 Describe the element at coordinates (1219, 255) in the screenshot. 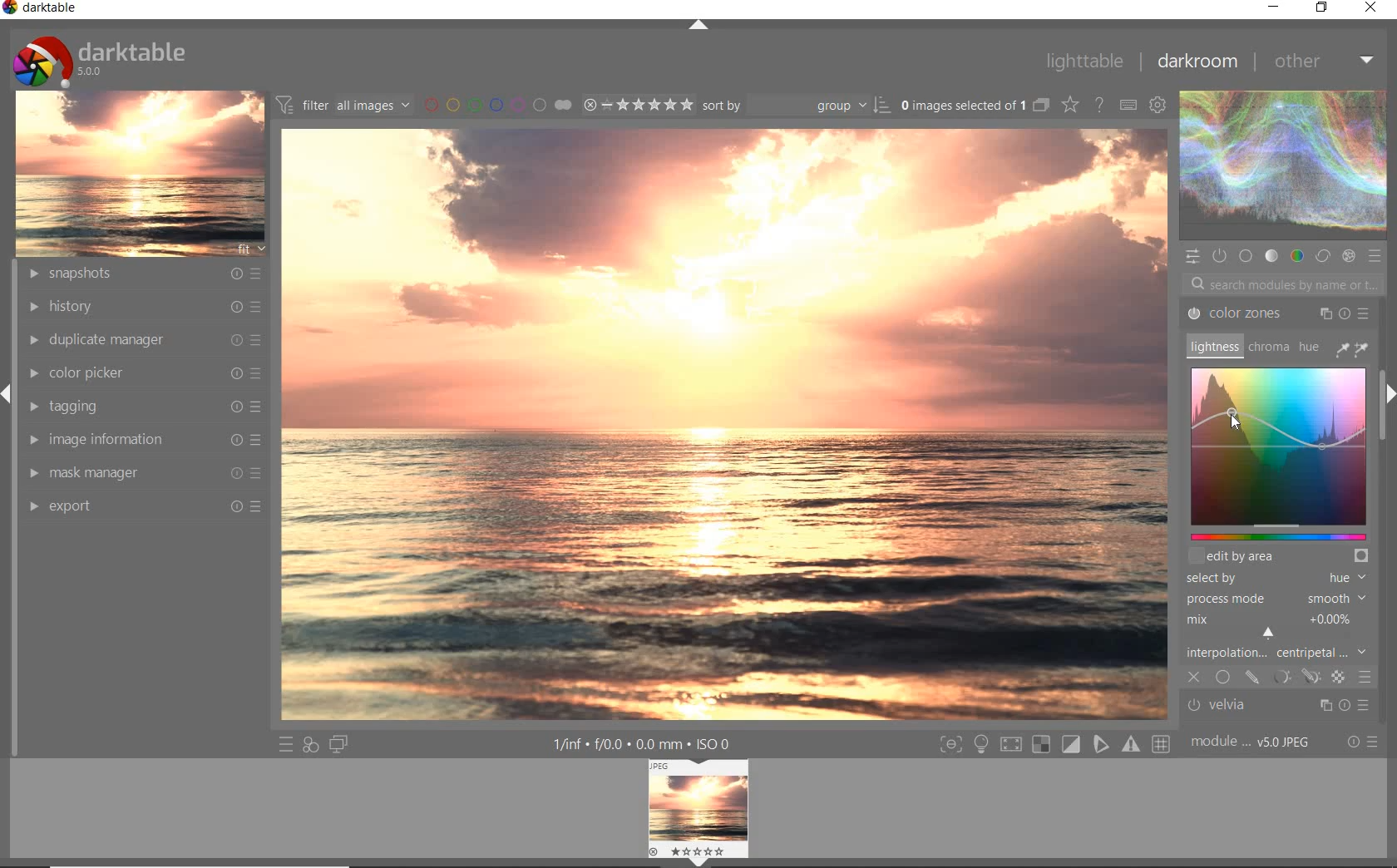

I see `SHOW ONLY ACTIVE MODULES` at that location.